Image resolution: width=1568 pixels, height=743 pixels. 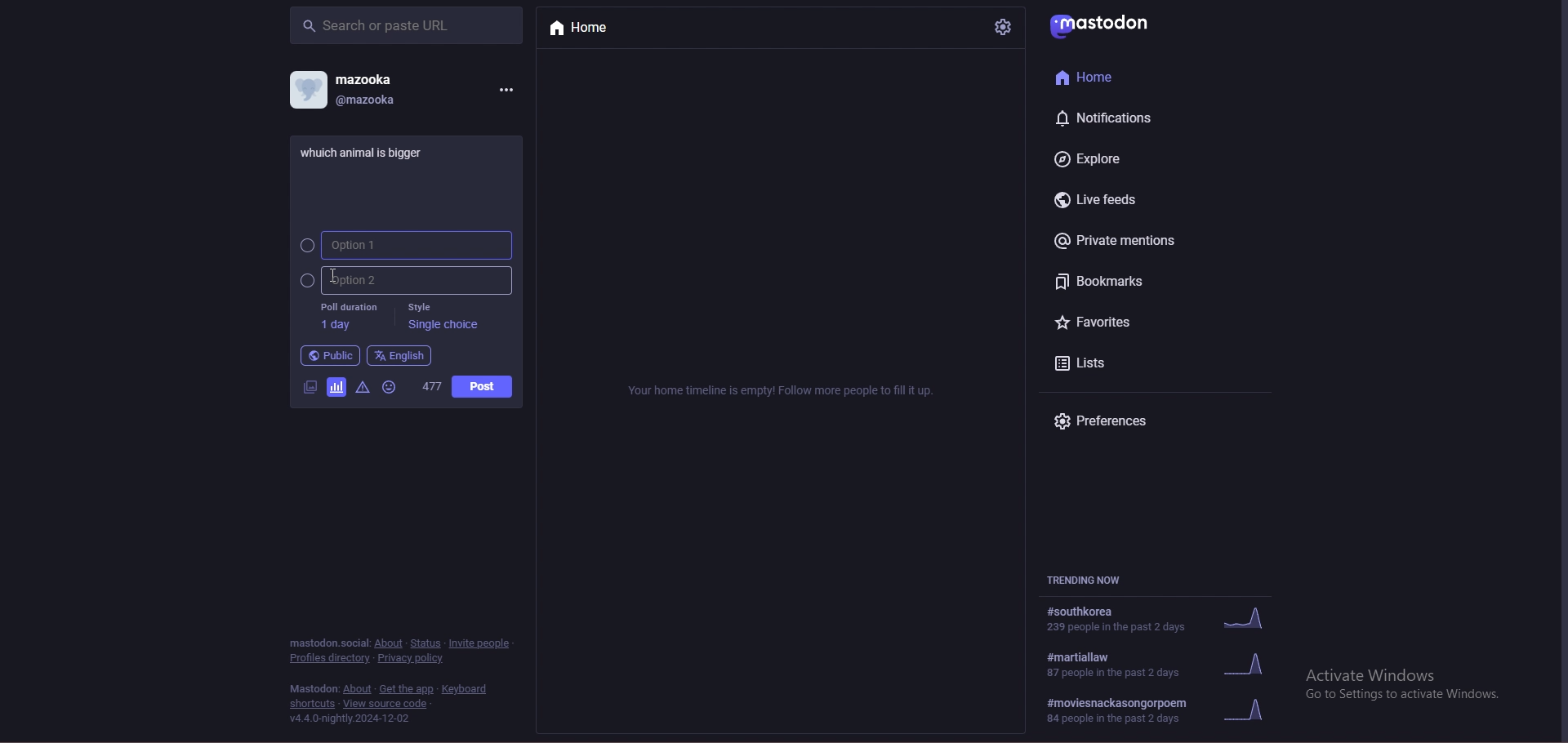 I want to click on trending now, so click(x=1097, y=581).